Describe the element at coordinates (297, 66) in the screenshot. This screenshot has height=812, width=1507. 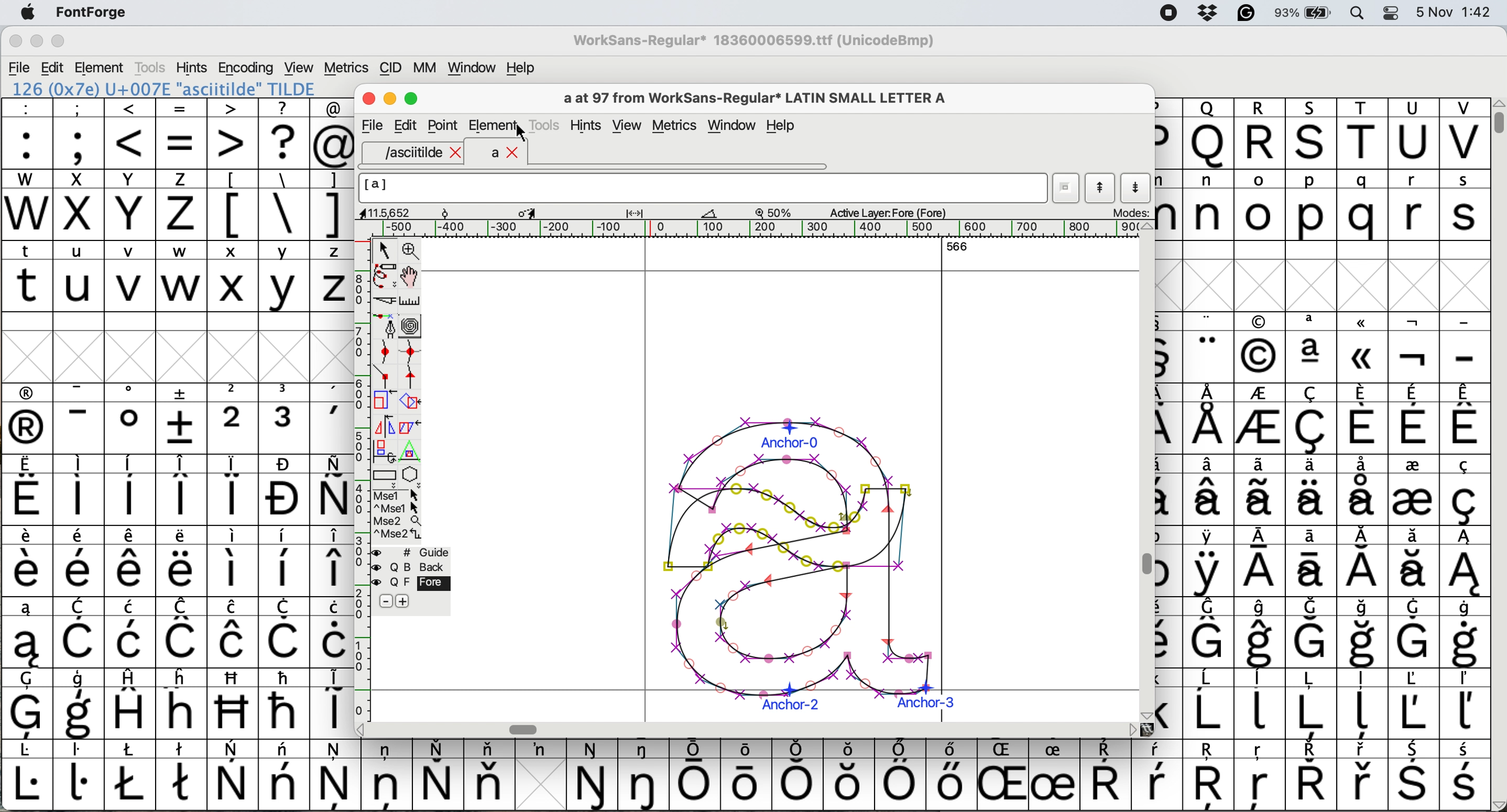
I see `view` at that location.